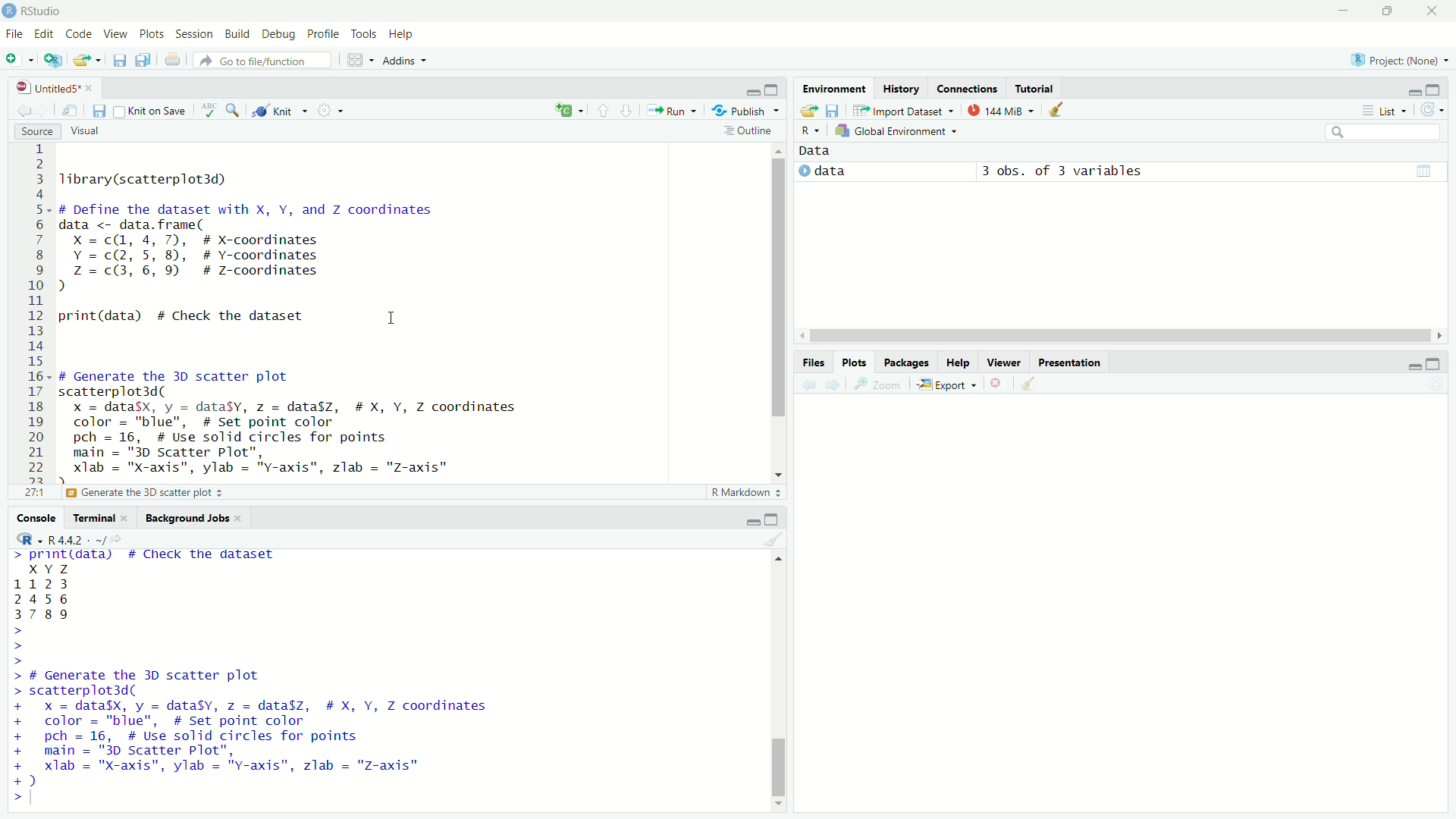 This screenshot has width=1456, height=819. Describe the element at coordinates (1414, 86) in the screenshot. I see `minimize` at that location.